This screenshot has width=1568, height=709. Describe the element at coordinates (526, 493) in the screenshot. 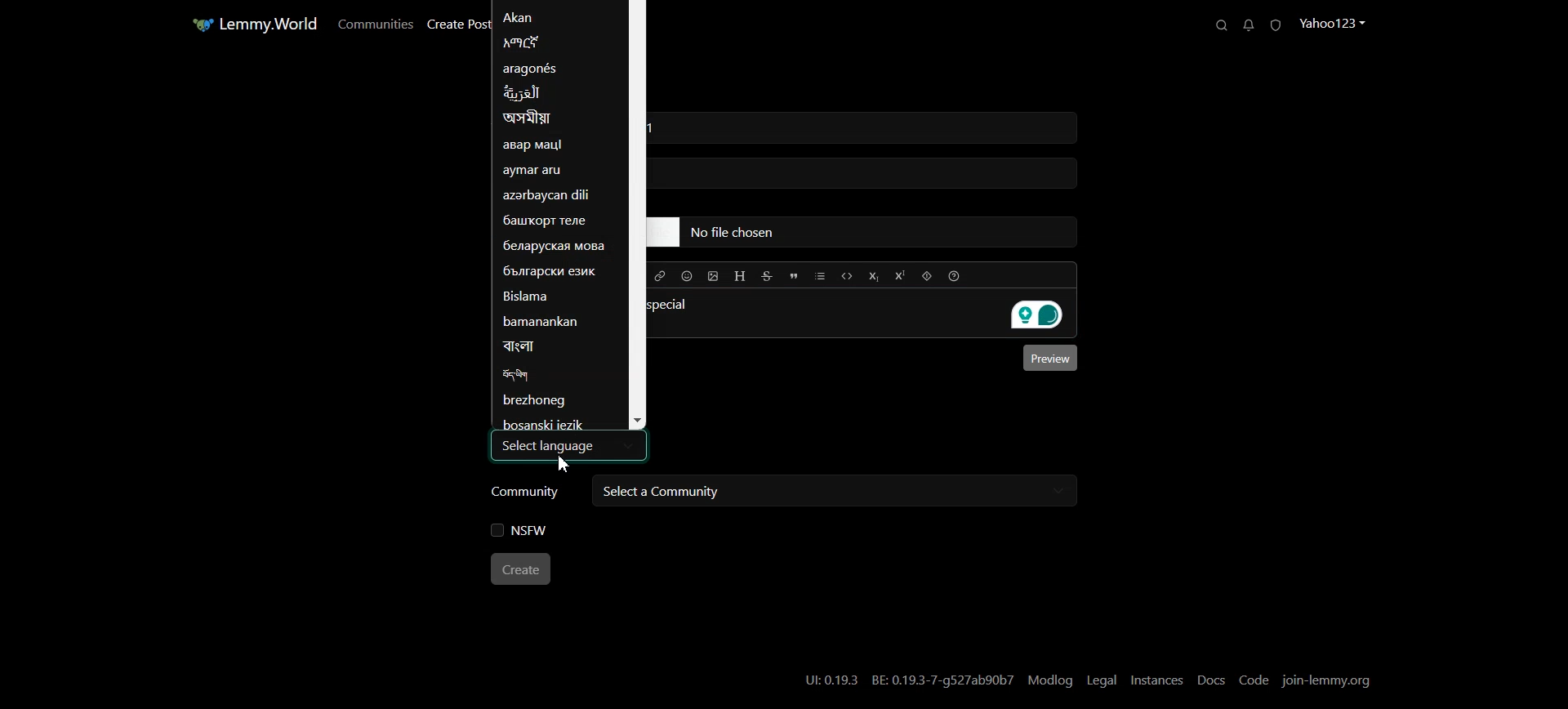

I see `Community` at that location.